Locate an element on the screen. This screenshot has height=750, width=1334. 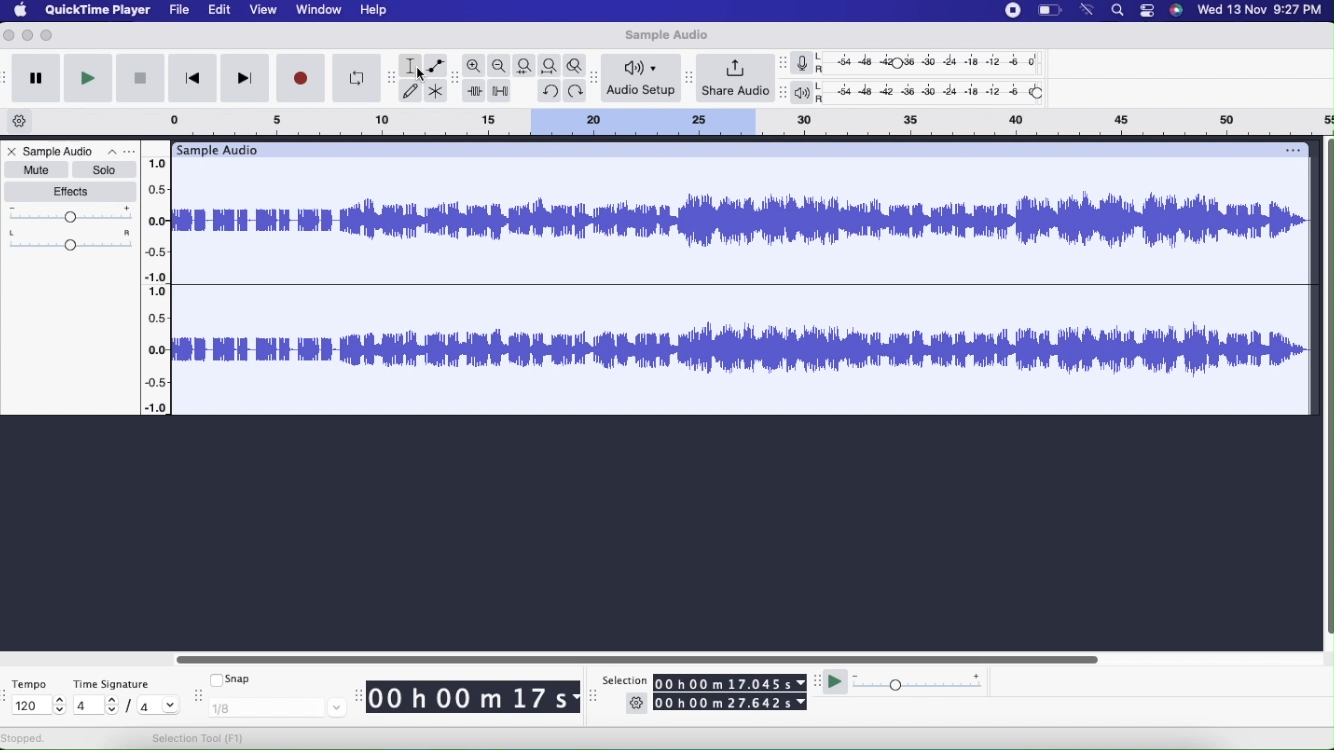
Click and drag to define a looping region is located at coordinates (725, 121).